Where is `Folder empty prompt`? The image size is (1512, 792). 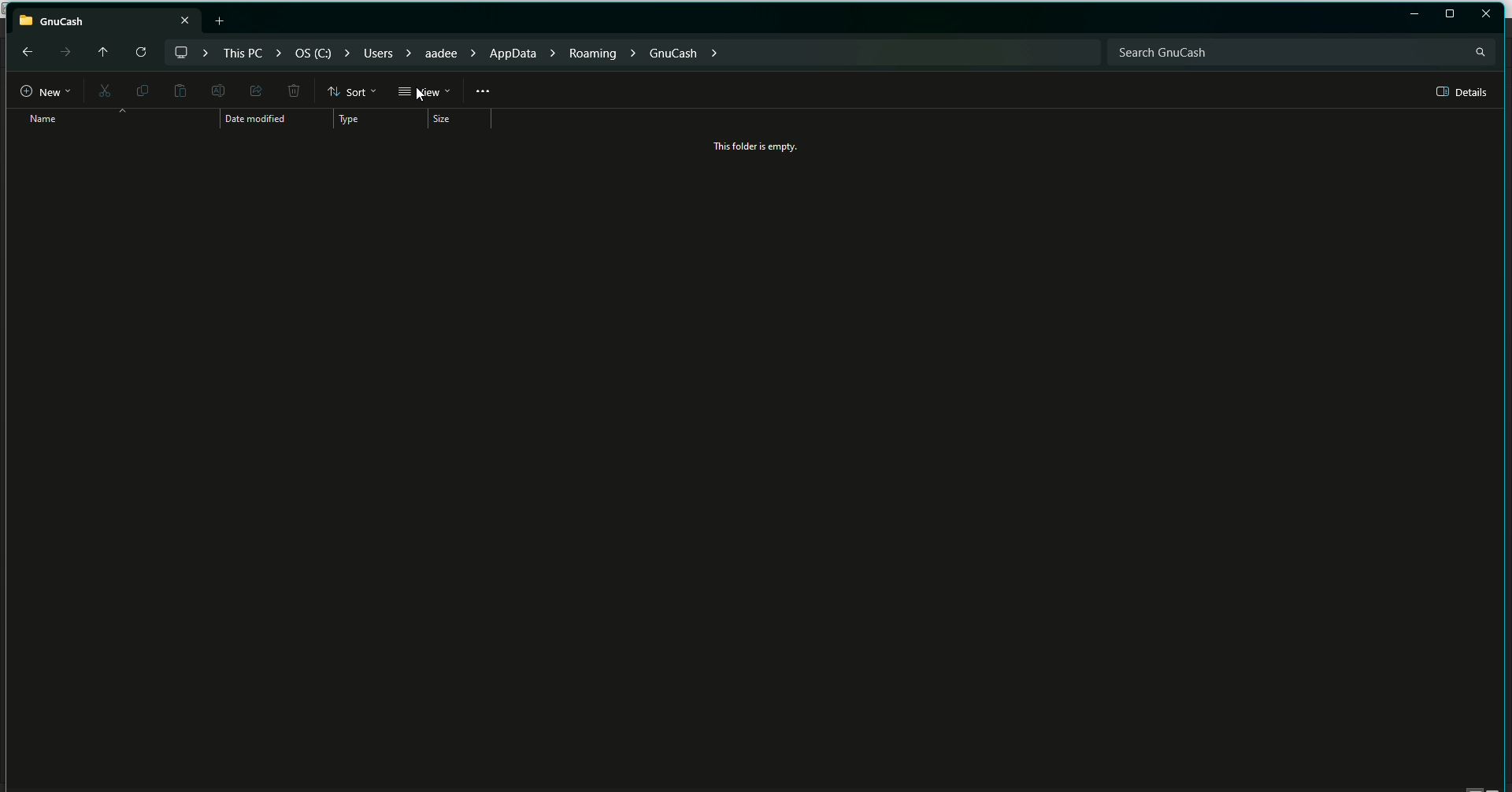 Folder empty prompt is located at coordinates (758, 146).